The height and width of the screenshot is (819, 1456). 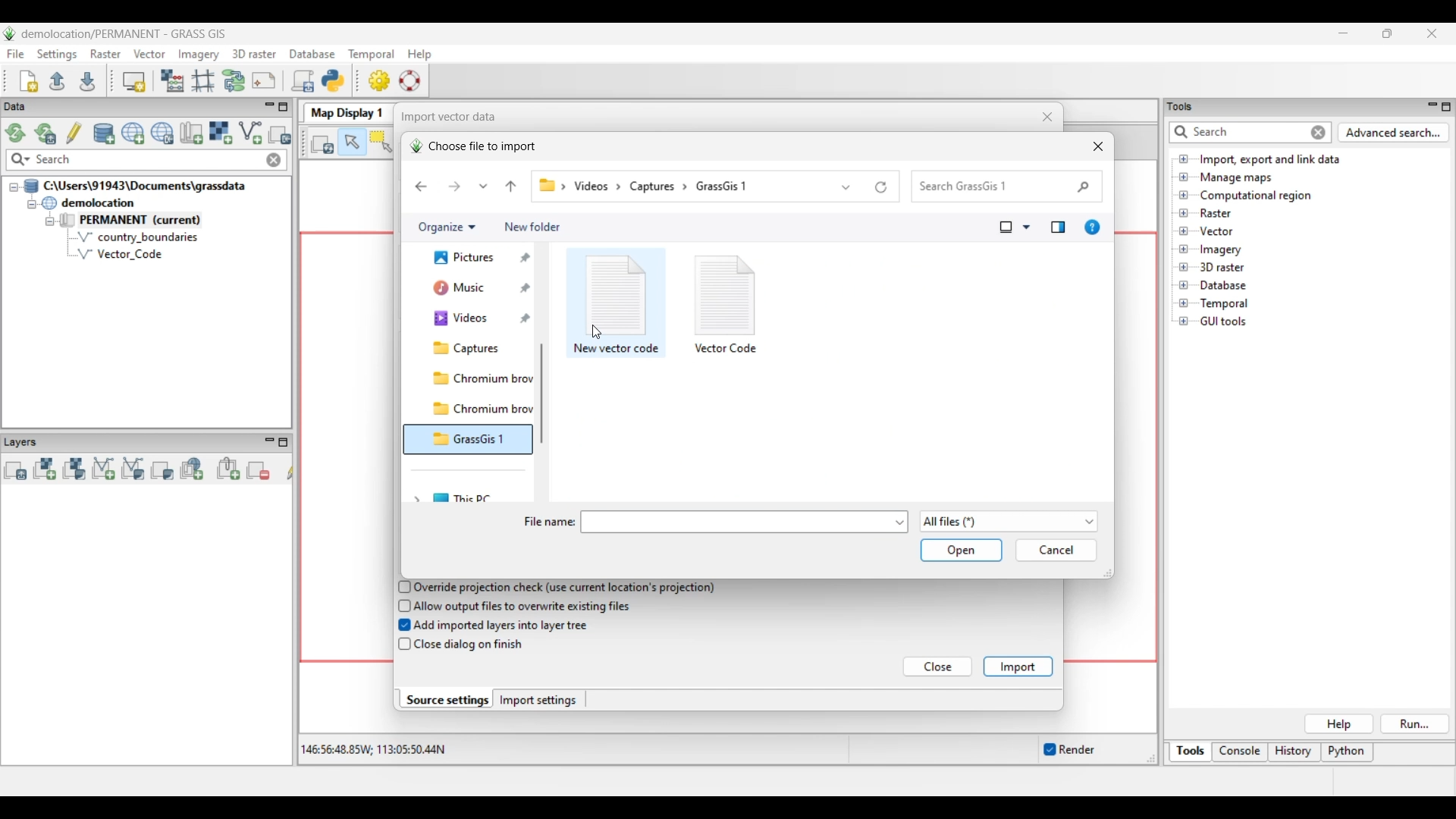 I want to click on Home folder, so click(x=470, y=263).